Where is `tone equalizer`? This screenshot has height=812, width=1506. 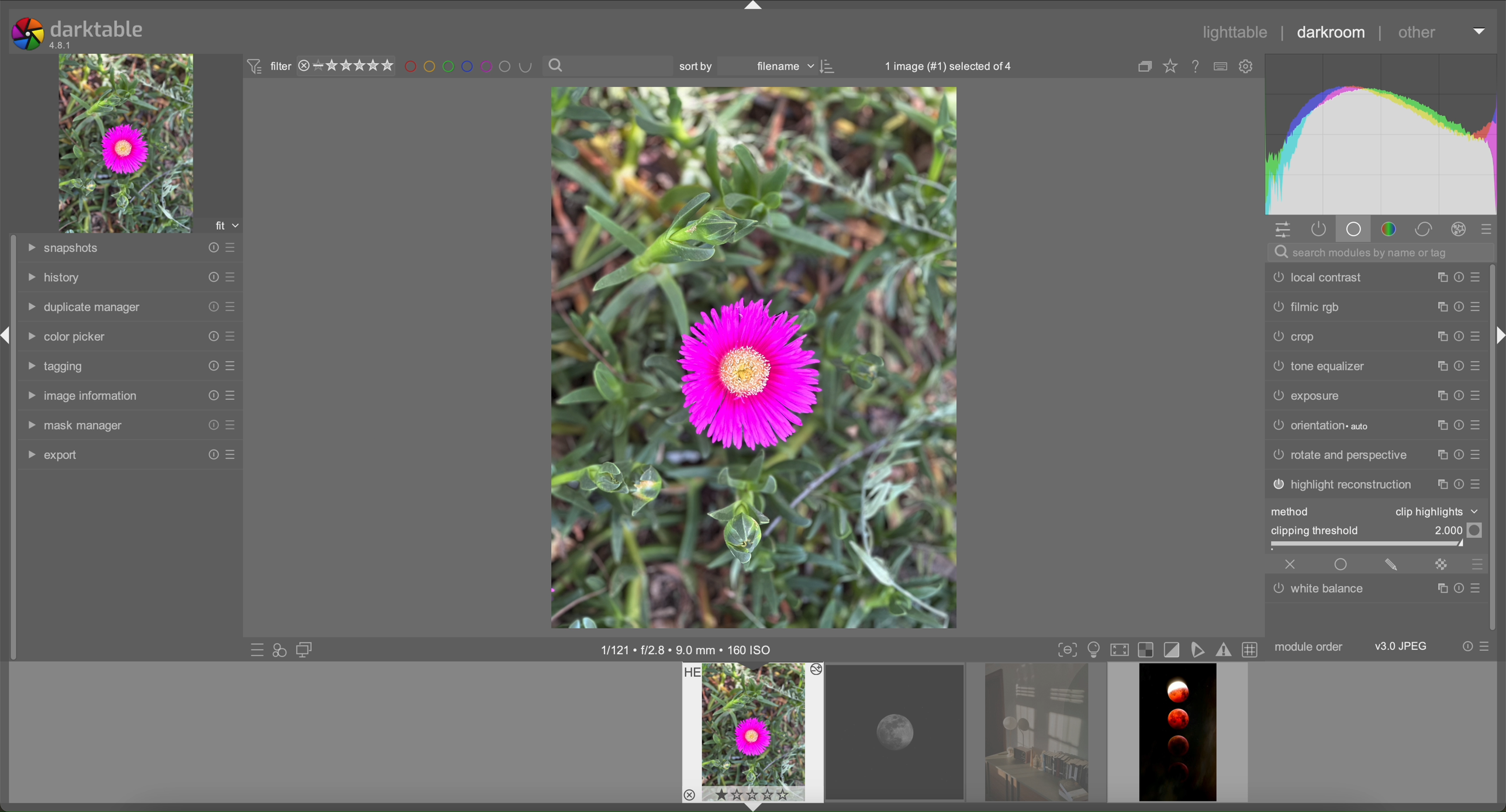
tone equalizer is located at coordinates (1320, 364).